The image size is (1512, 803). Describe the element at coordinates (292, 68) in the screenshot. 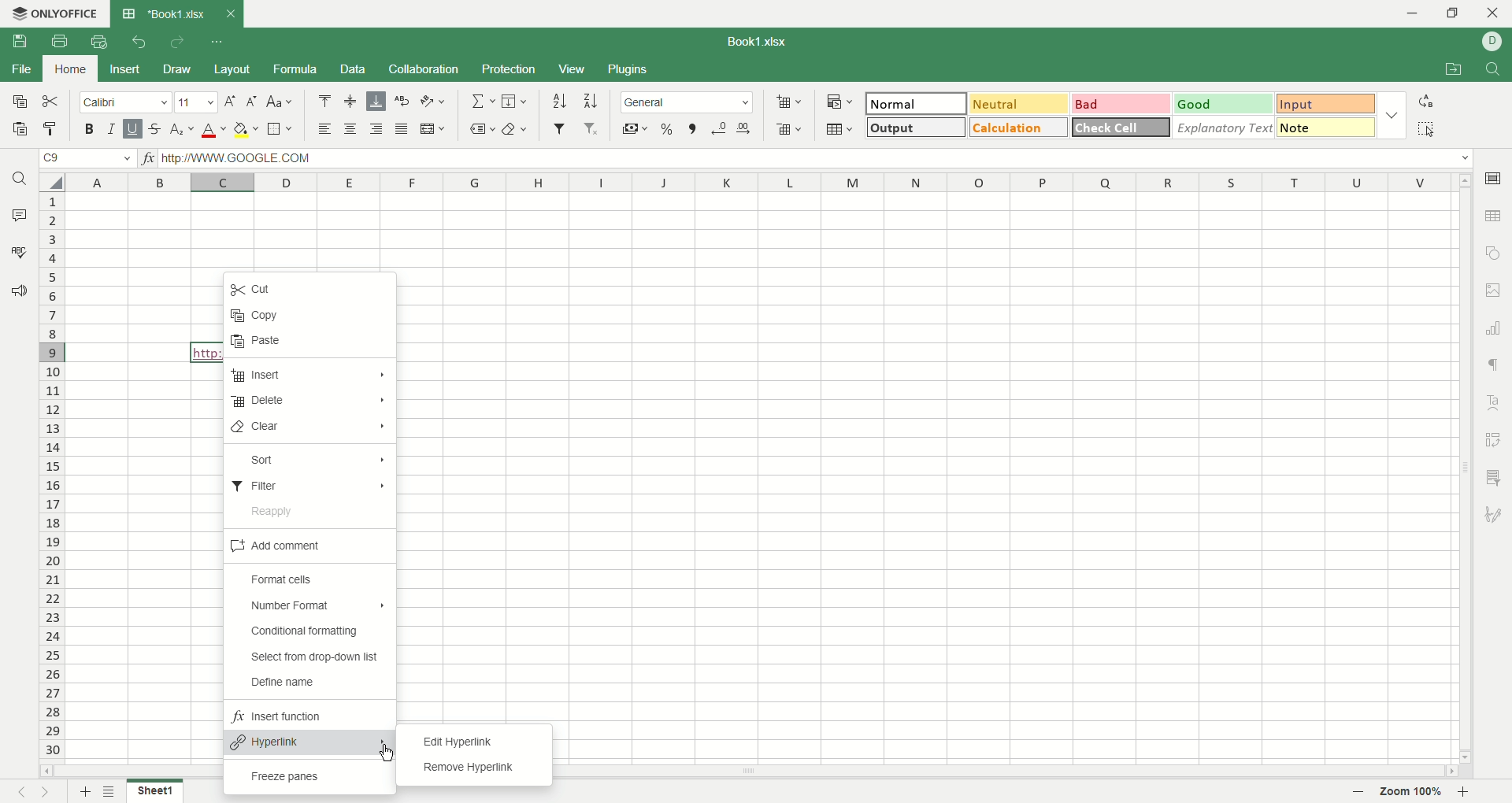

I see `formula` at that location.